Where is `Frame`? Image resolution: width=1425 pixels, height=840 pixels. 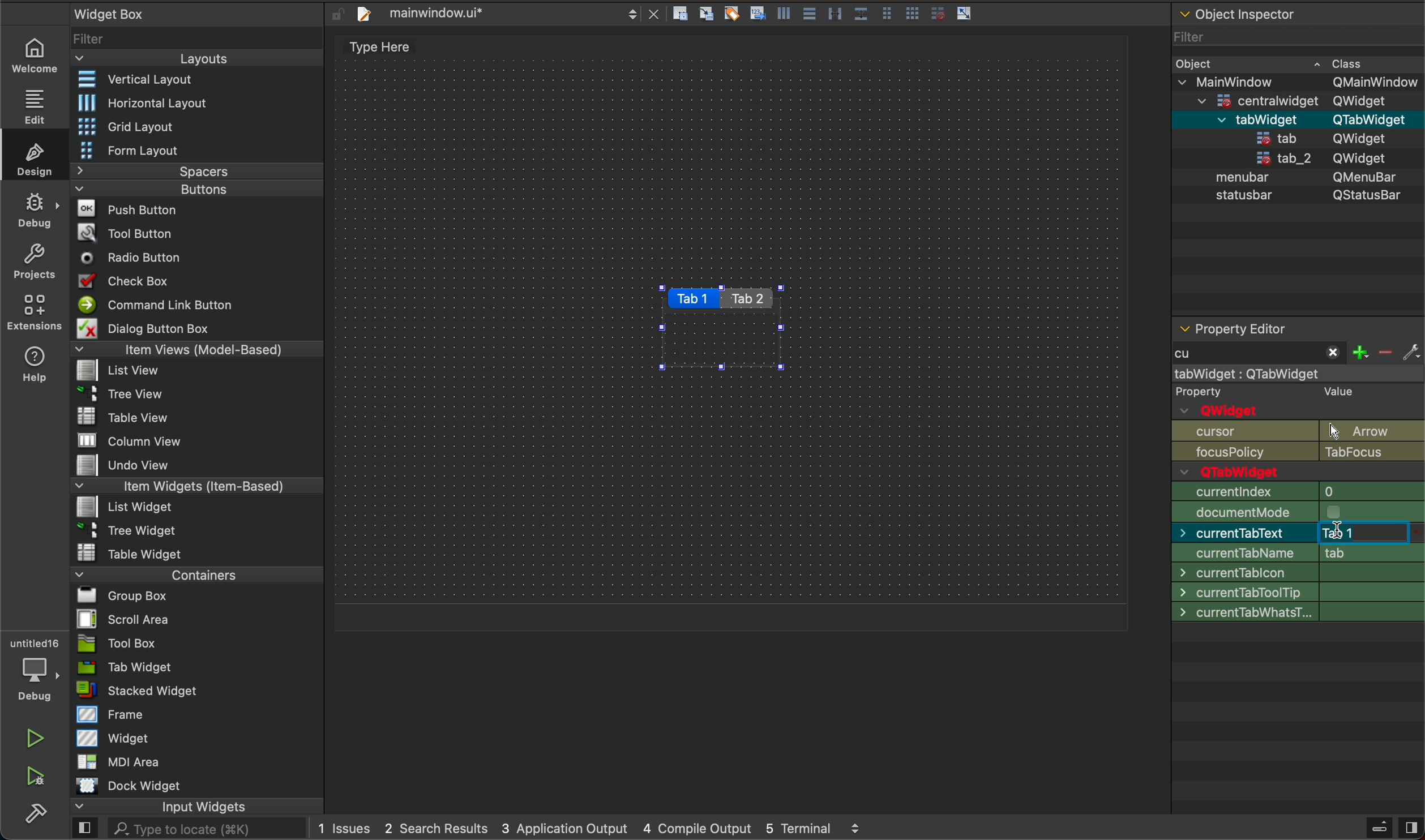
Frame is located at coordinates (105, 714).